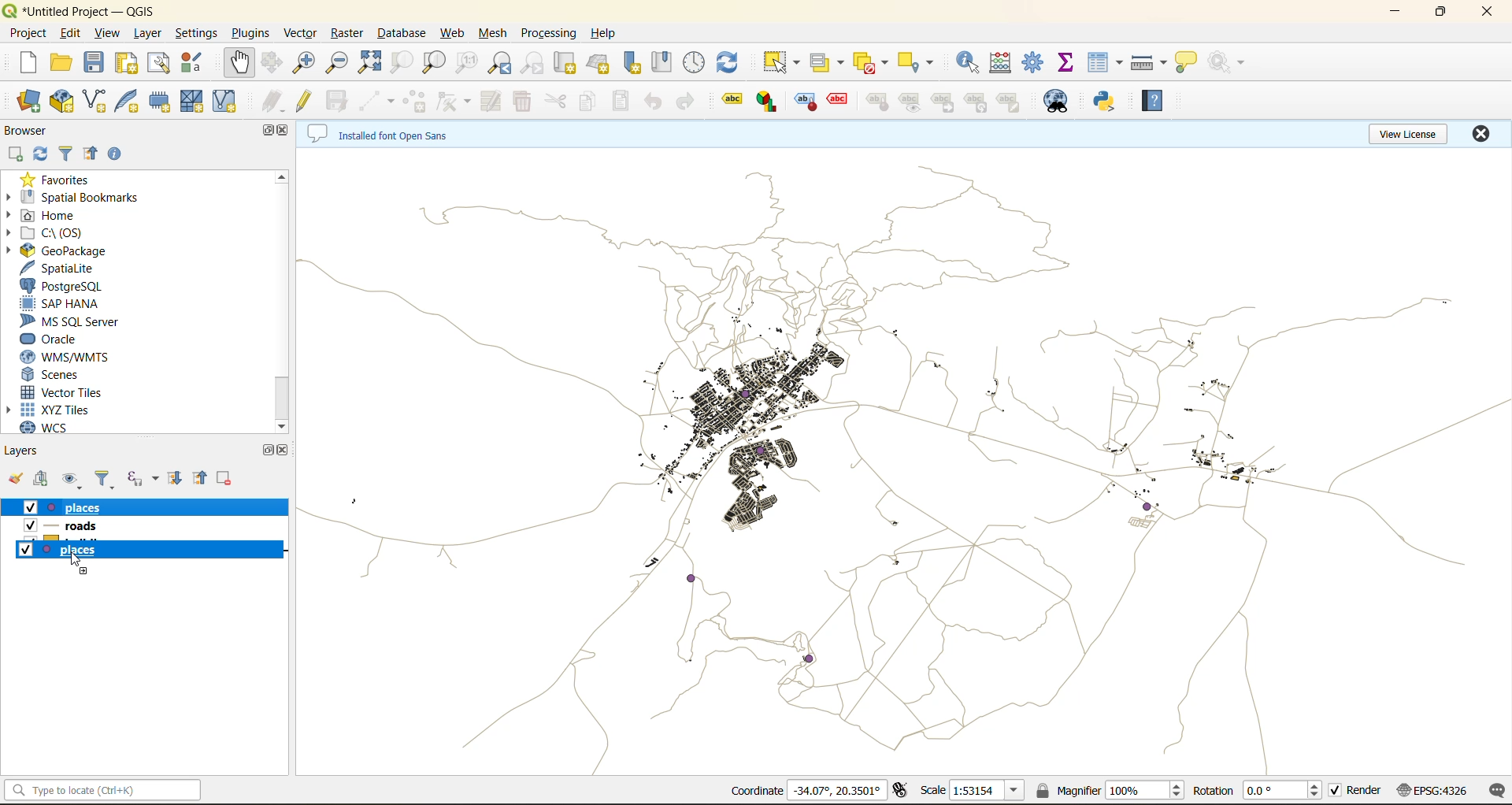  I want to click on scenes, so click(80, 376).